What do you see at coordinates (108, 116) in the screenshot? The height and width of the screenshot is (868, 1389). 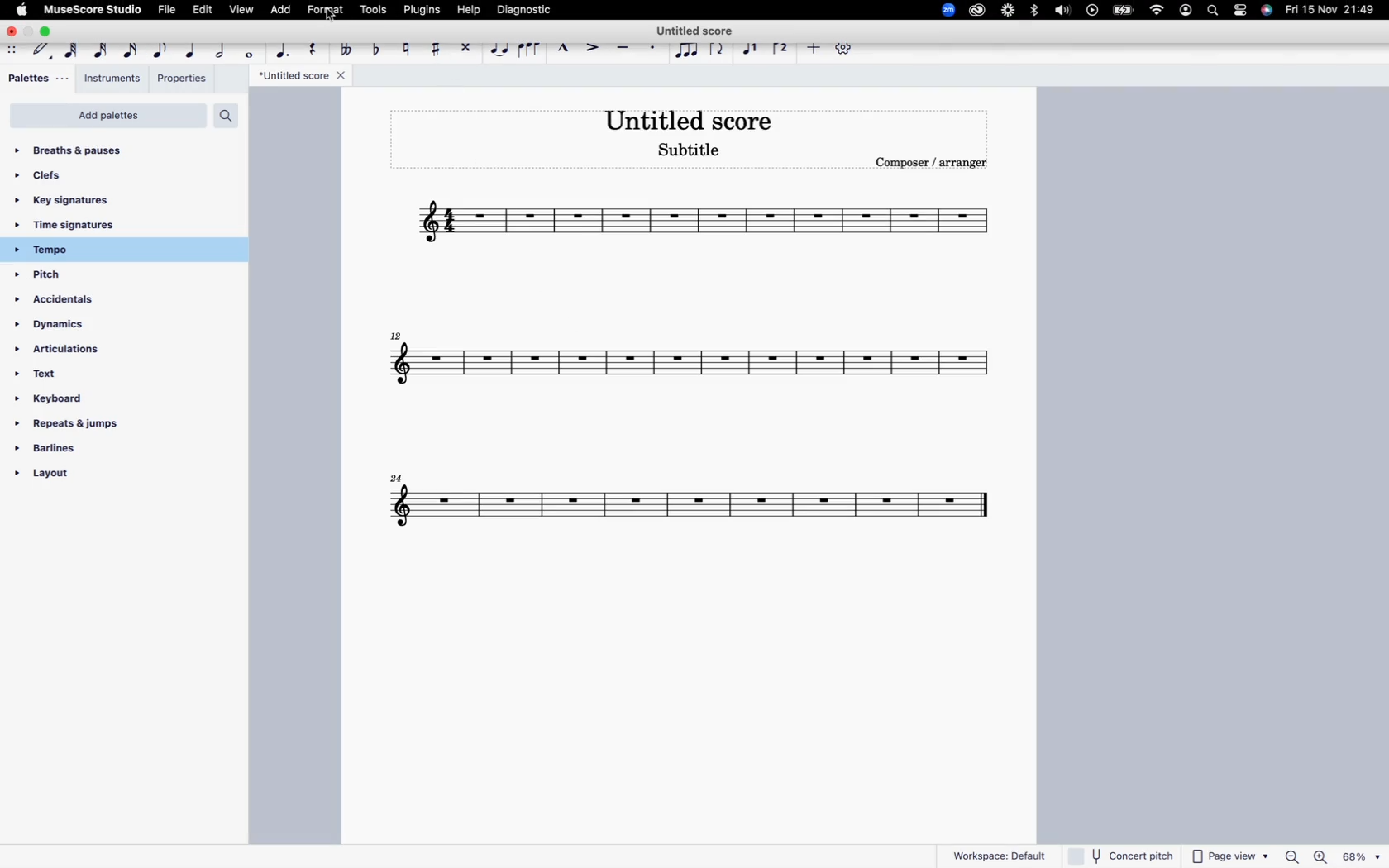 I see `add palettes` at bounding box center [108, 116].